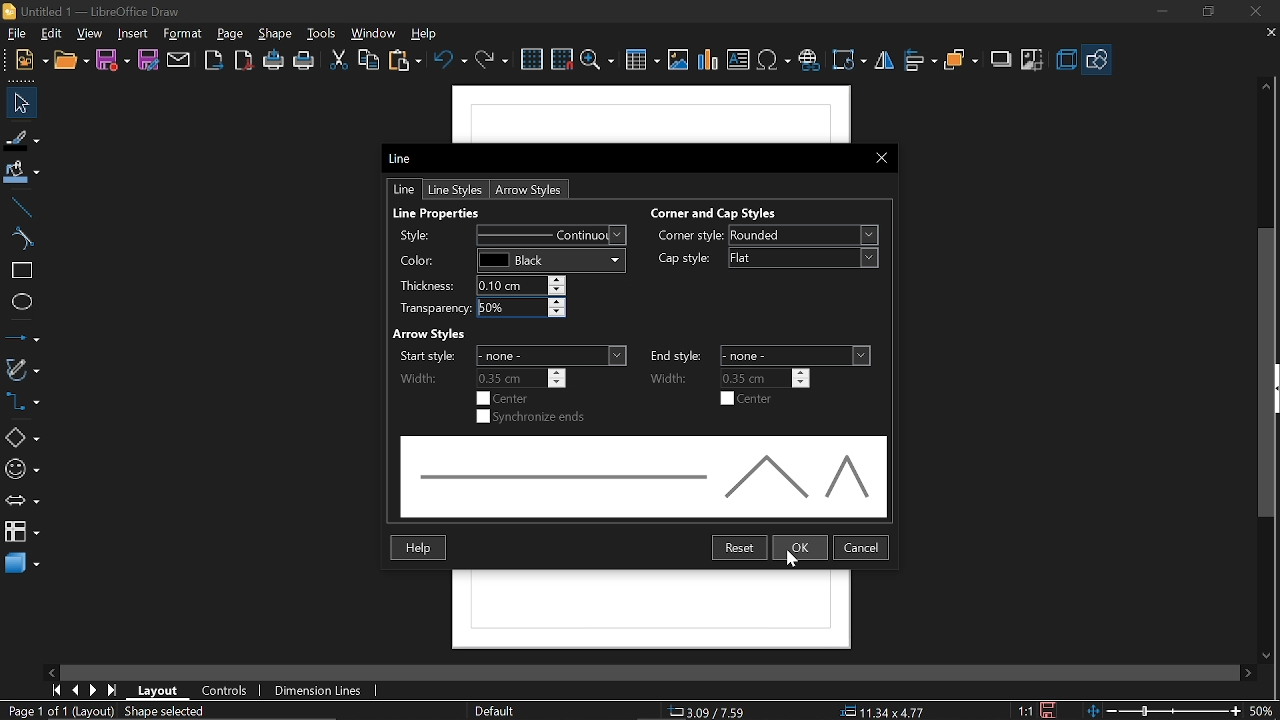 The image size is (1280, 720). I want to click on new, so click(28, 60).